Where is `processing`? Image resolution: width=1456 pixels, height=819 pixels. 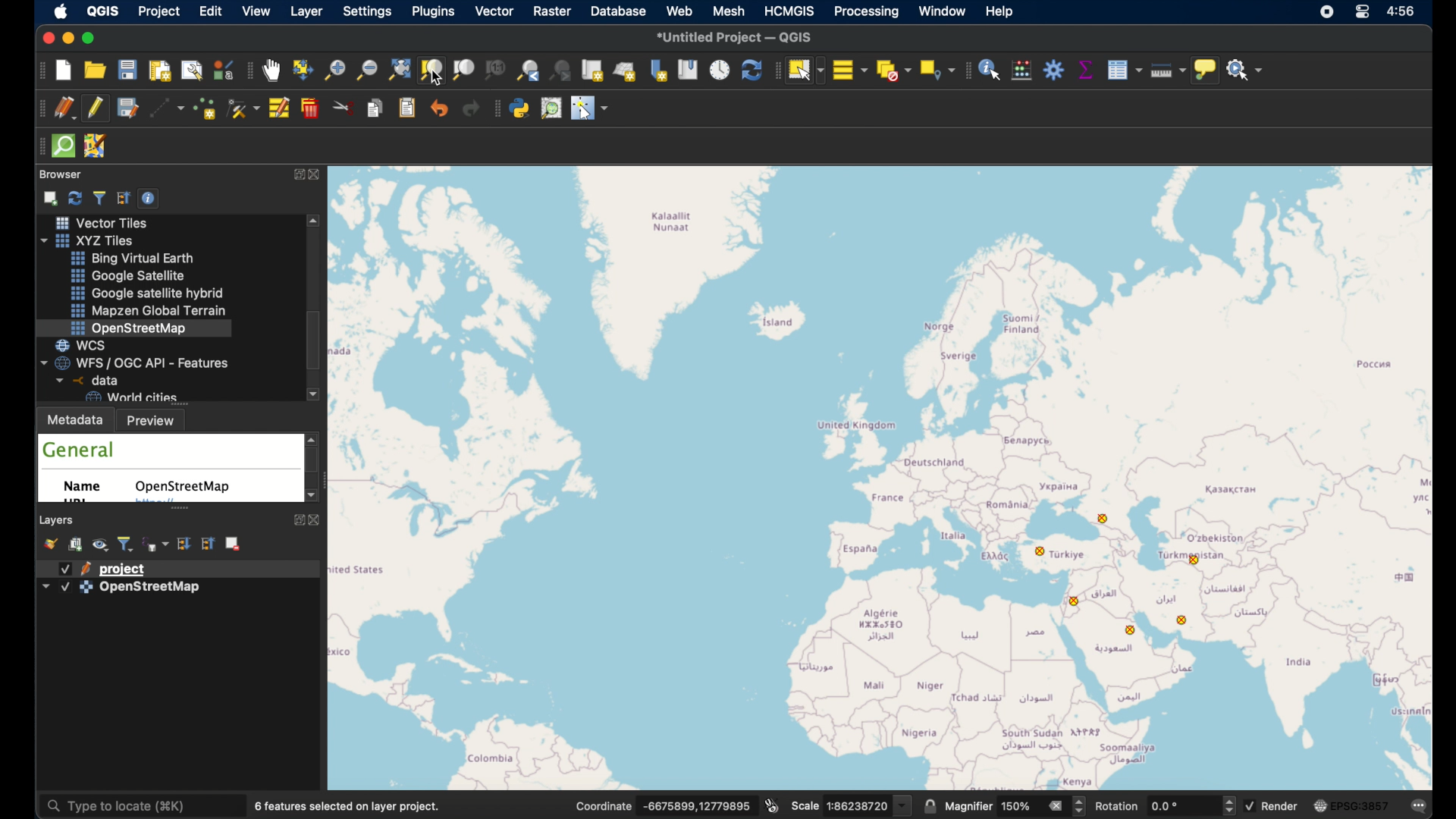 processing is located at coordinates (867, 12).